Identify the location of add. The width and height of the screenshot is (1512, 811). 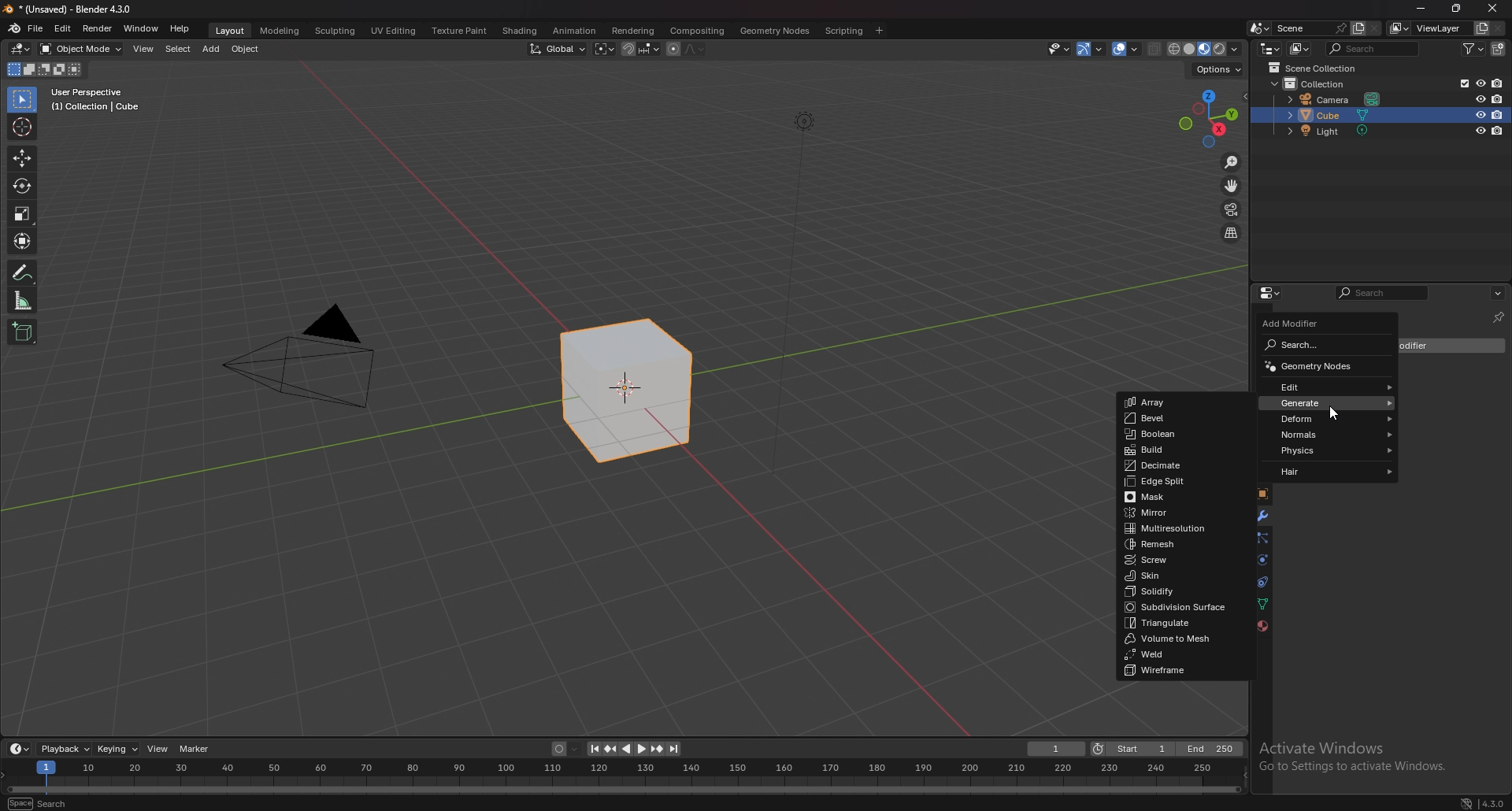
(212, 49).